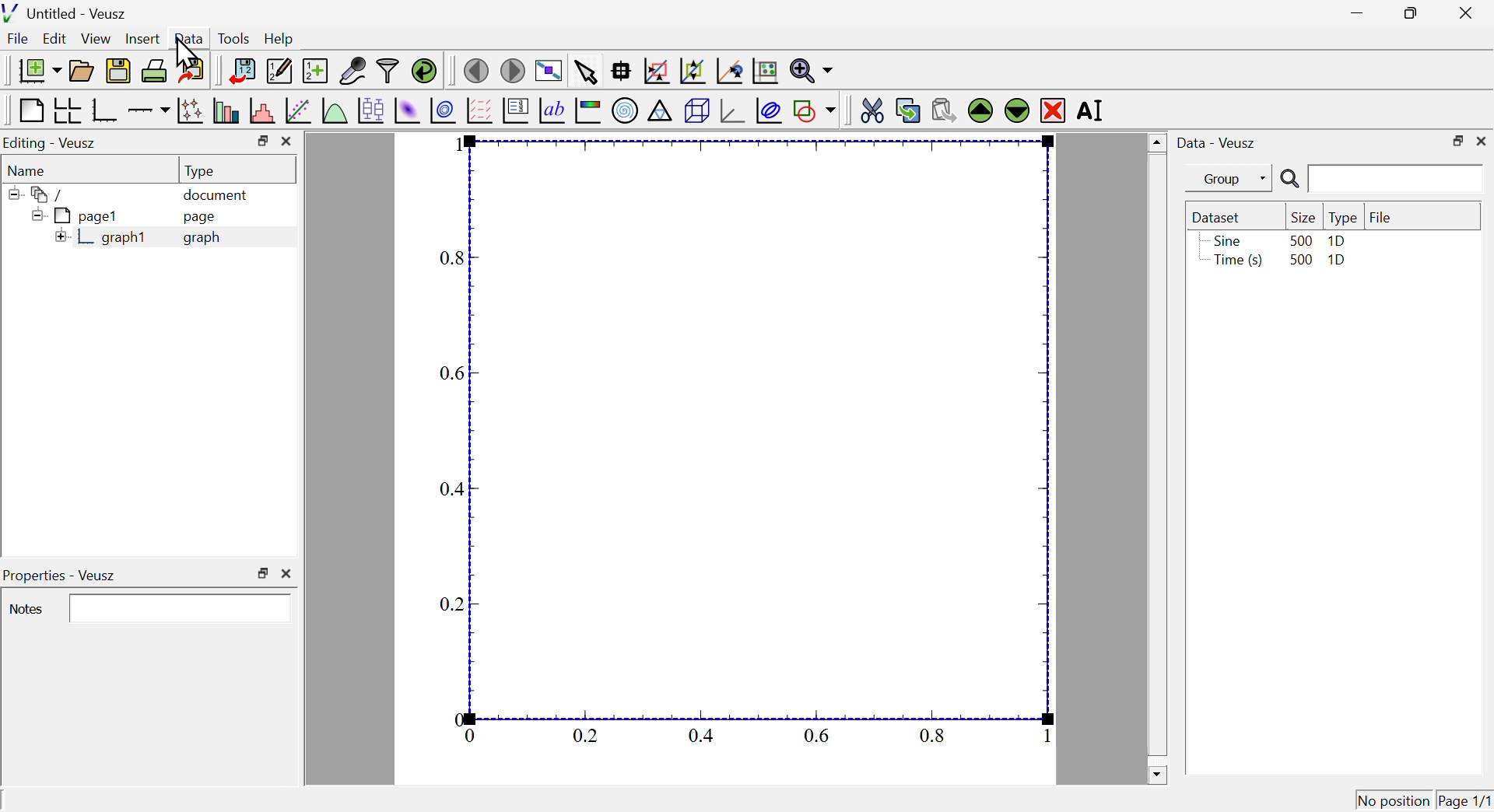 The image size is (1494, 812). What do you see at coordinates (202, 219) in the screenshot?
I see `page` at bounding box center [202, 219].